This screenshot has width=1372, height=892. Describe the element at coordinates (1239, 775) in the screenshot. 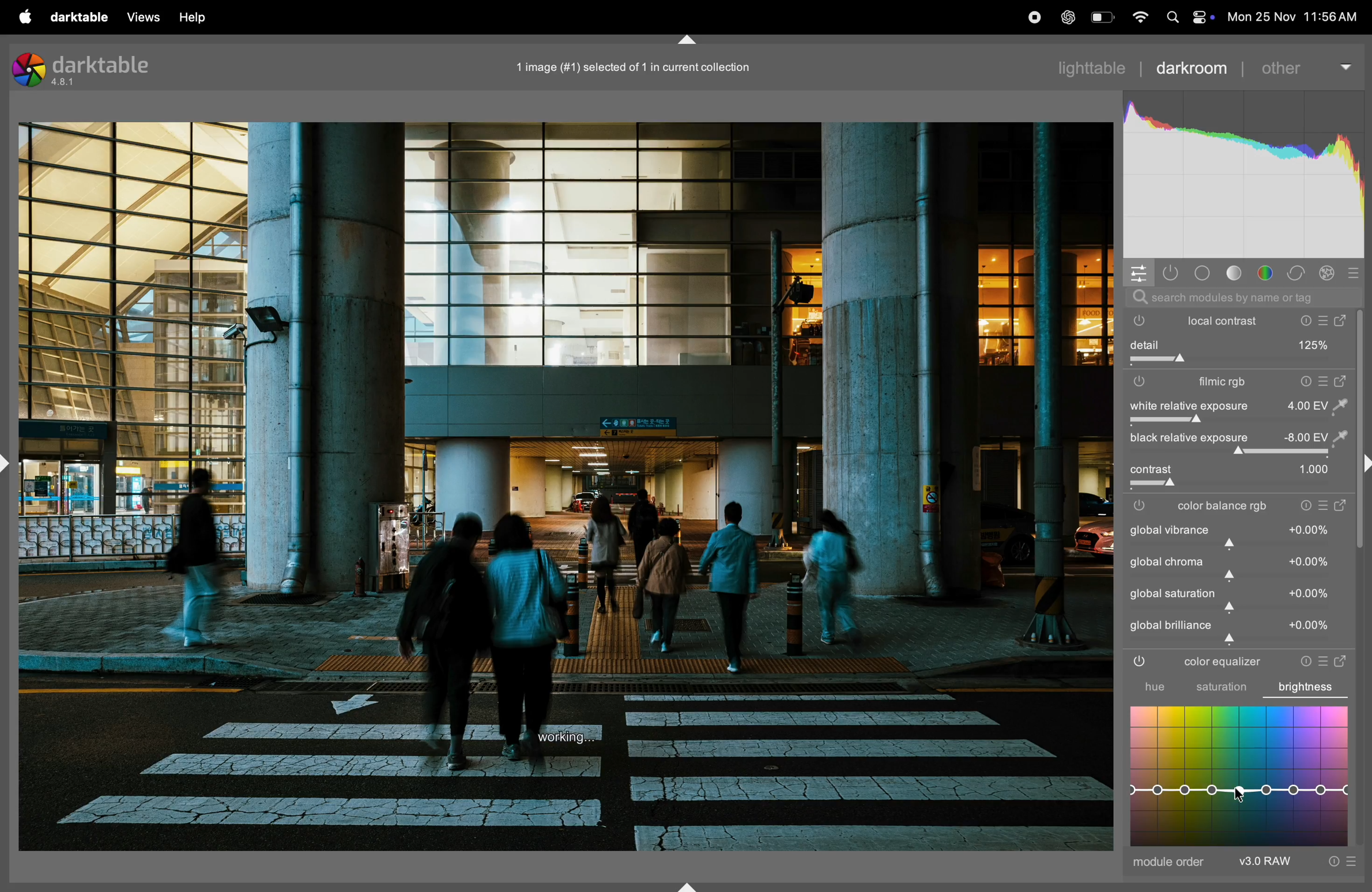

I see `graph equalizer` at that location.